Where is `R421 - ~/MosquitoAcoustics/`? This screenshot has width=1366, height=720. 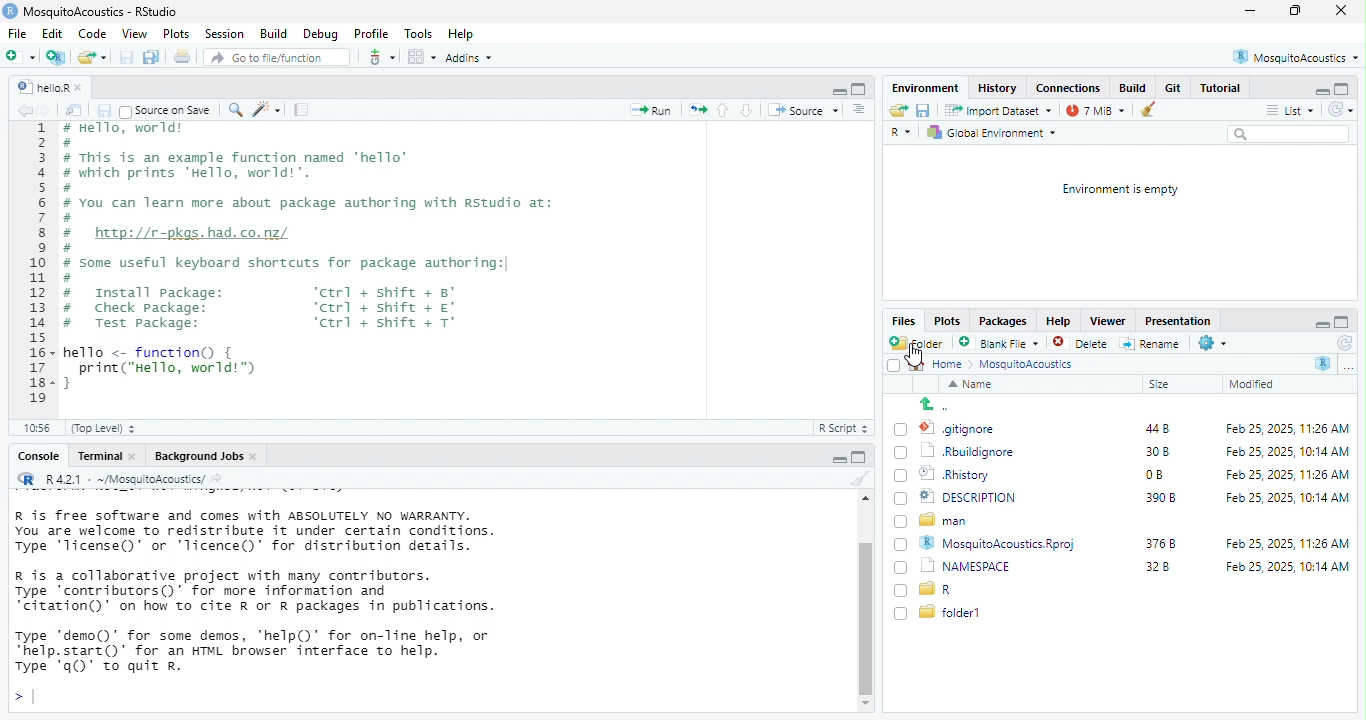 R421 - ~/MosquitoAcoustics/ is located at coordinates (135, 478).